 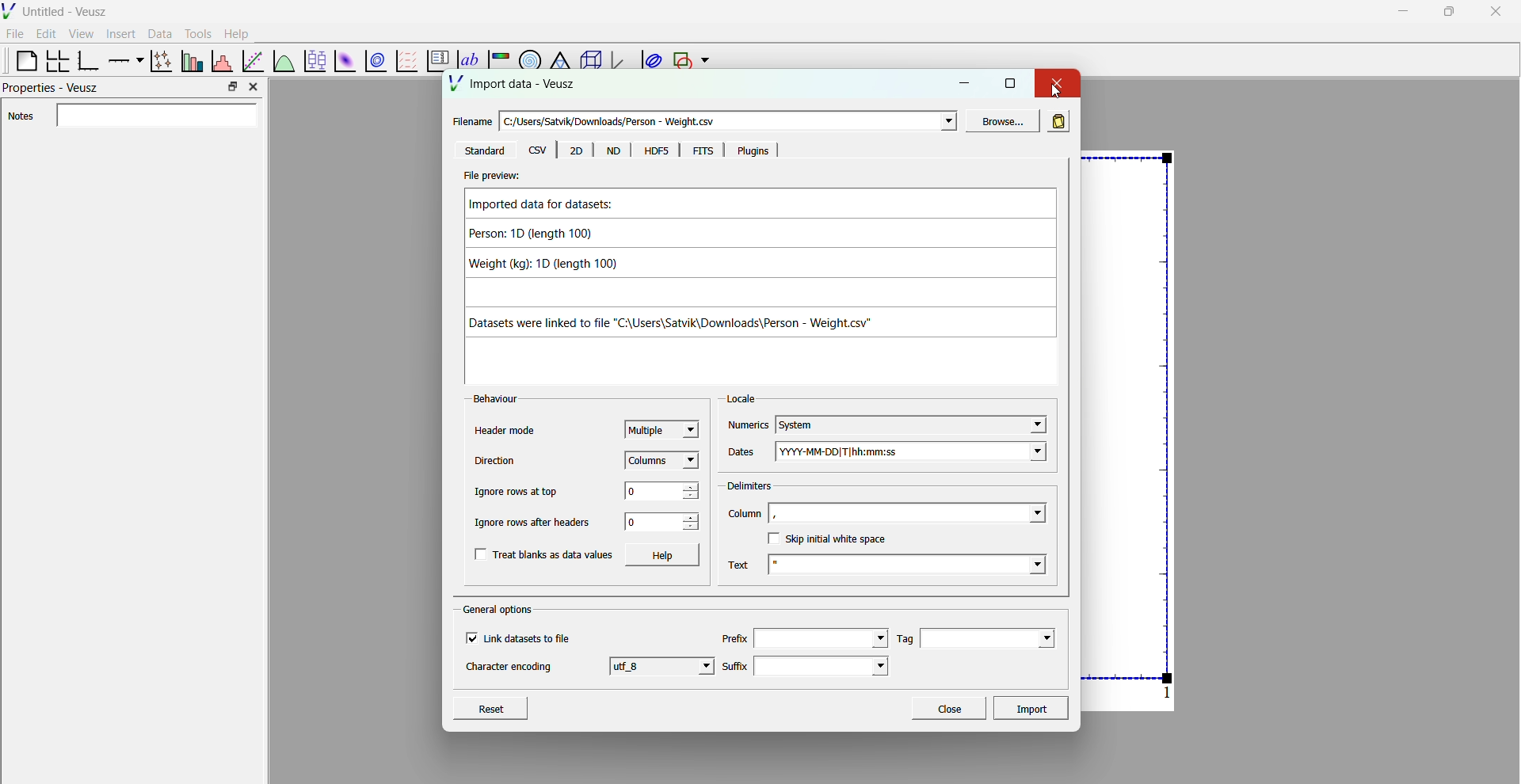 What do you see at coordinates (747, 419) in the screenshot?
I see `Numerics` at bounding box center [747, 419].